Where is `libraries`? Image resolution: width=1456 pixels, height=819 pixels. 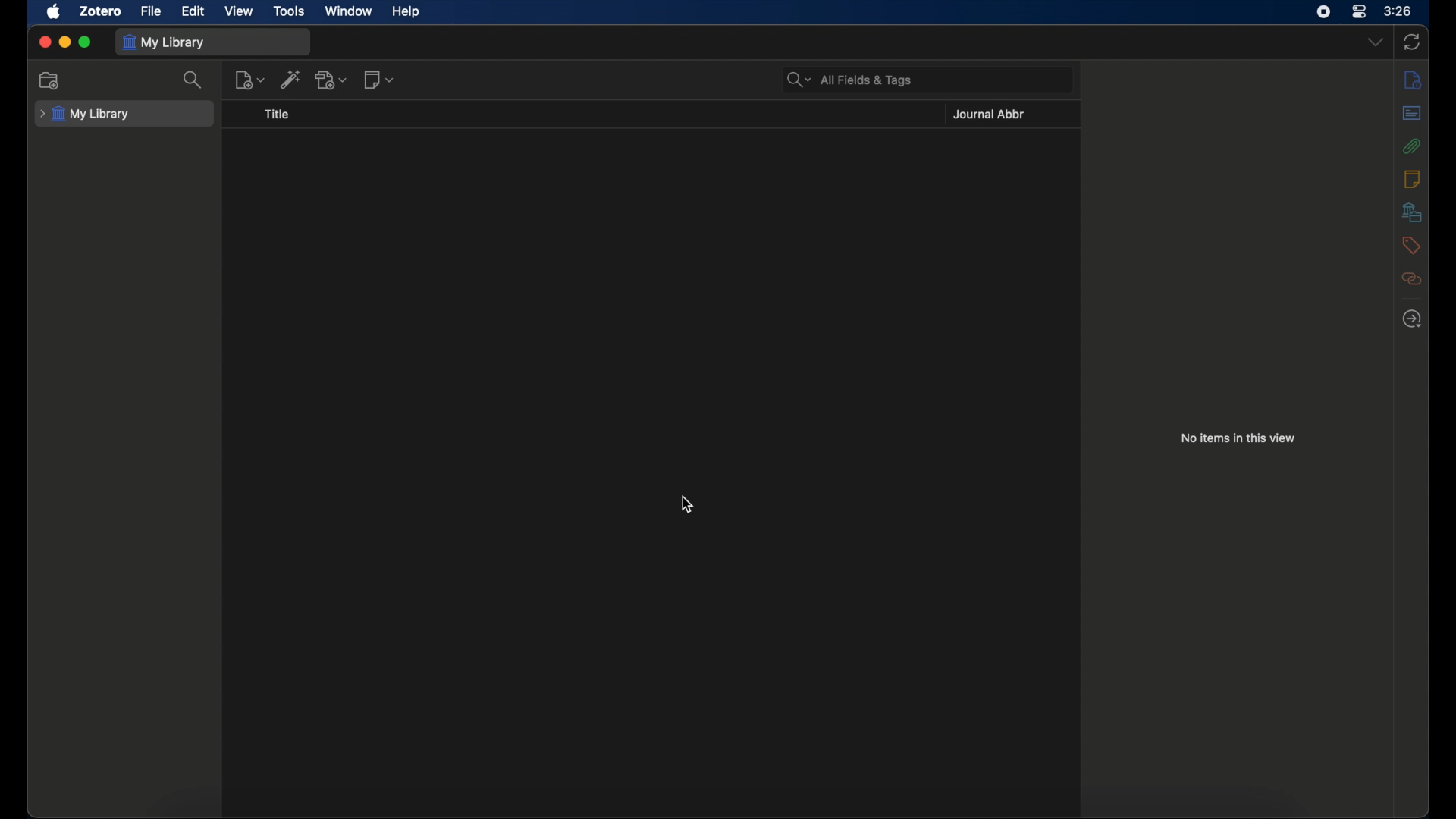
libraries is located at coordinates (1412, 212).